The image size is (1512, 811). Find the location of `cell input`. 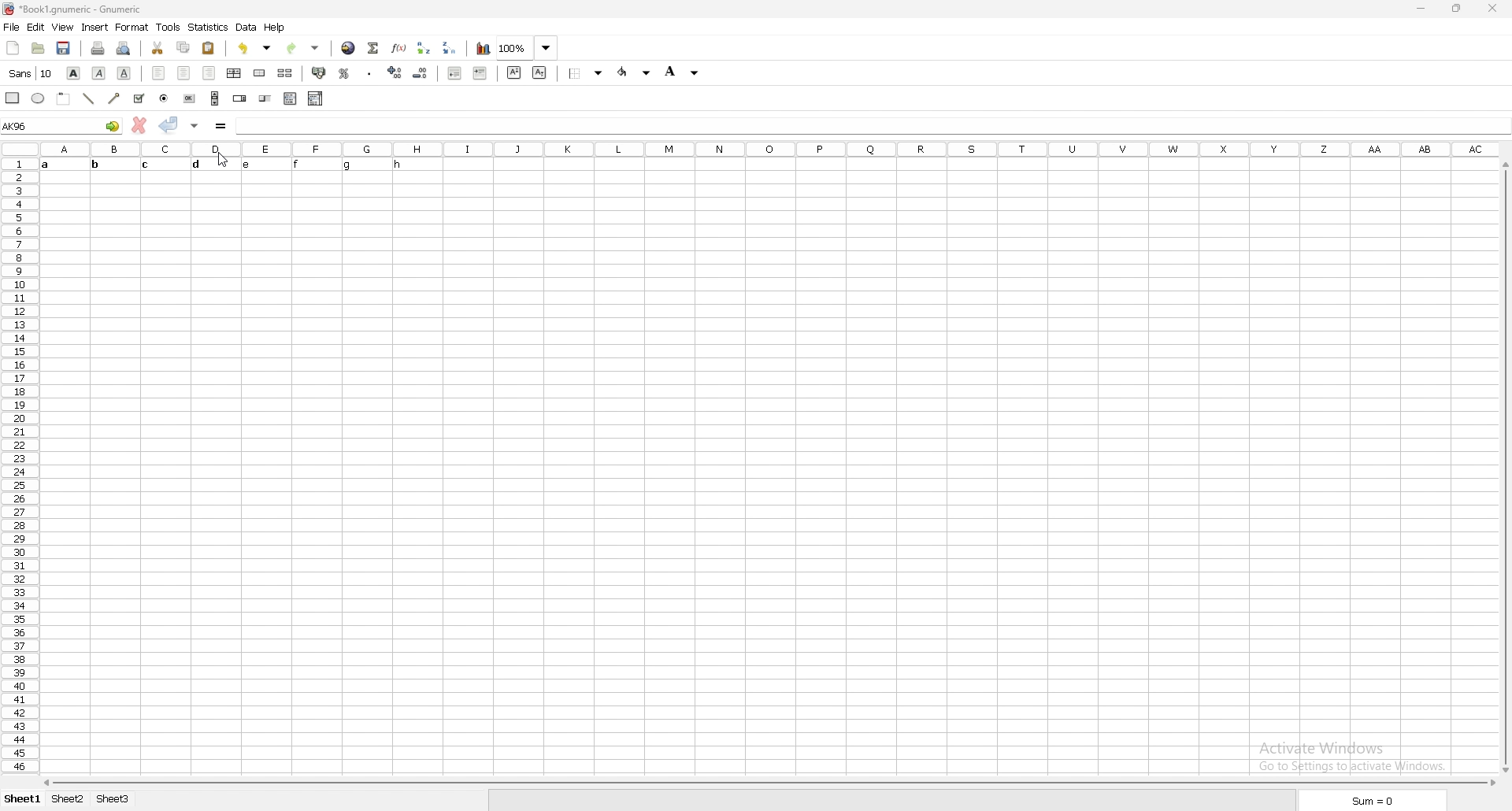

cell input is located at coordinates (872, 126).